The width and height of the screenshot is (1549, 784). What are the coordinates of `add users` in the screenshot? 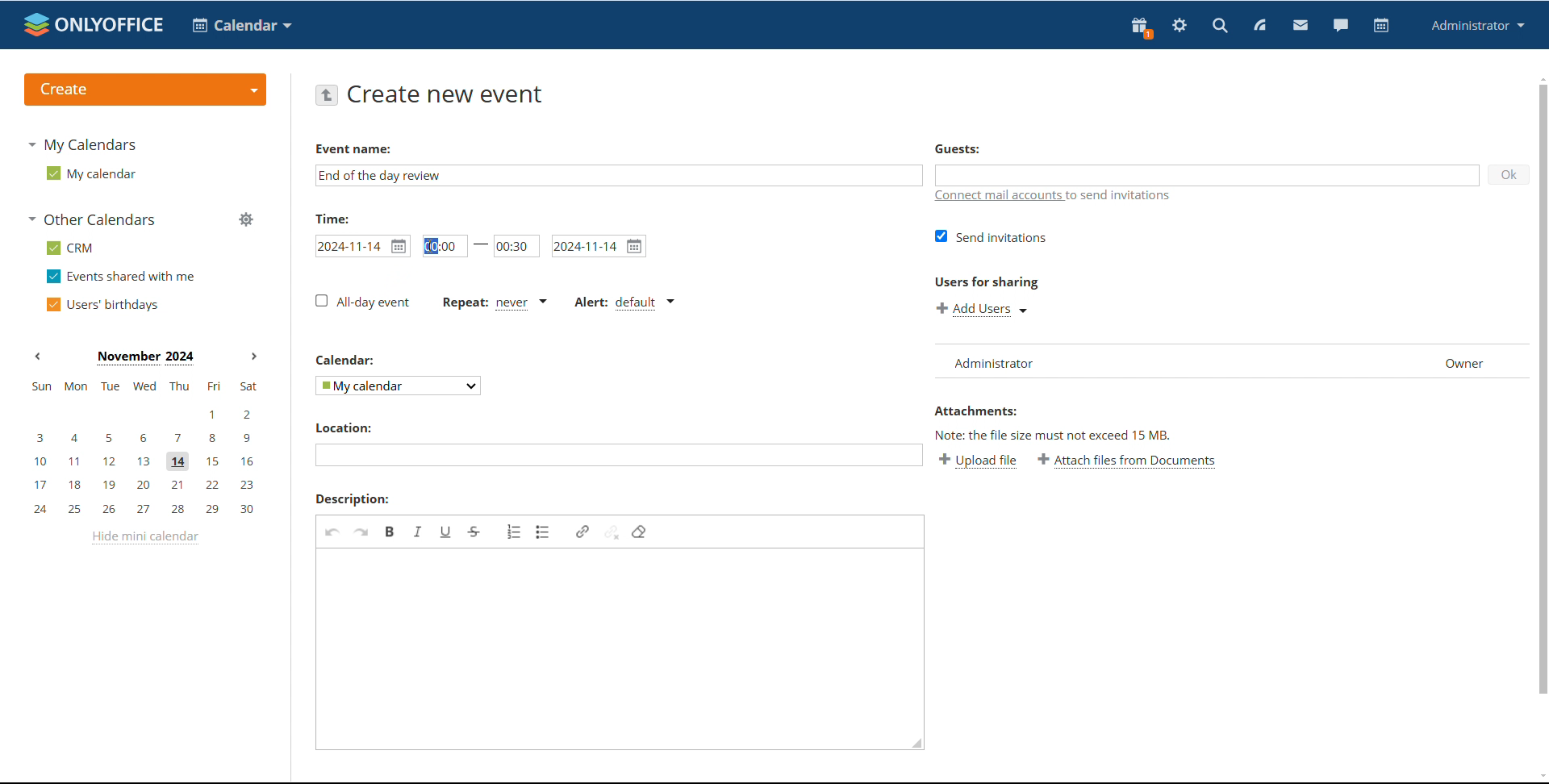 It's located at (984, 309).